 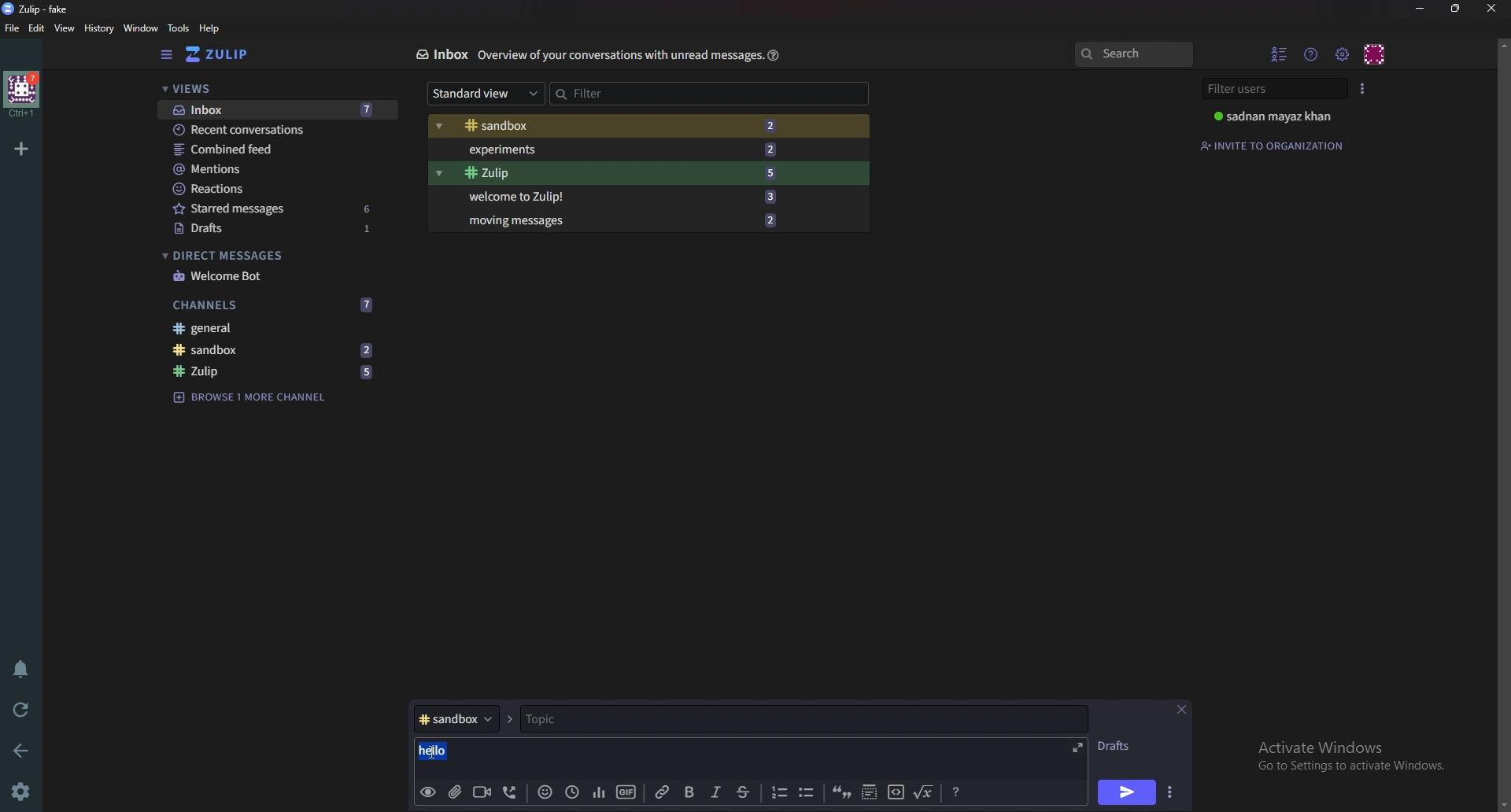 I want to click on Experiments 2, so click(x=619, y=149).